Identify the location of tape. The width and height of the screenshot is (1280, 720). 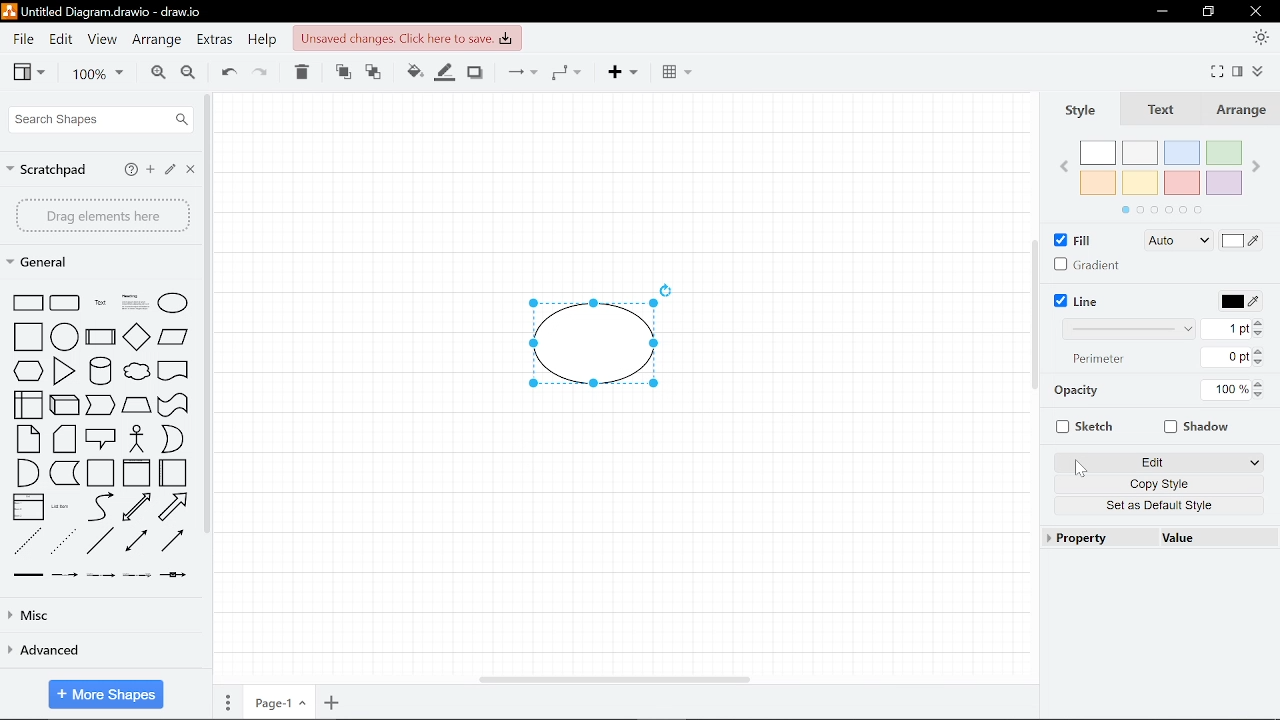
(175, 405).